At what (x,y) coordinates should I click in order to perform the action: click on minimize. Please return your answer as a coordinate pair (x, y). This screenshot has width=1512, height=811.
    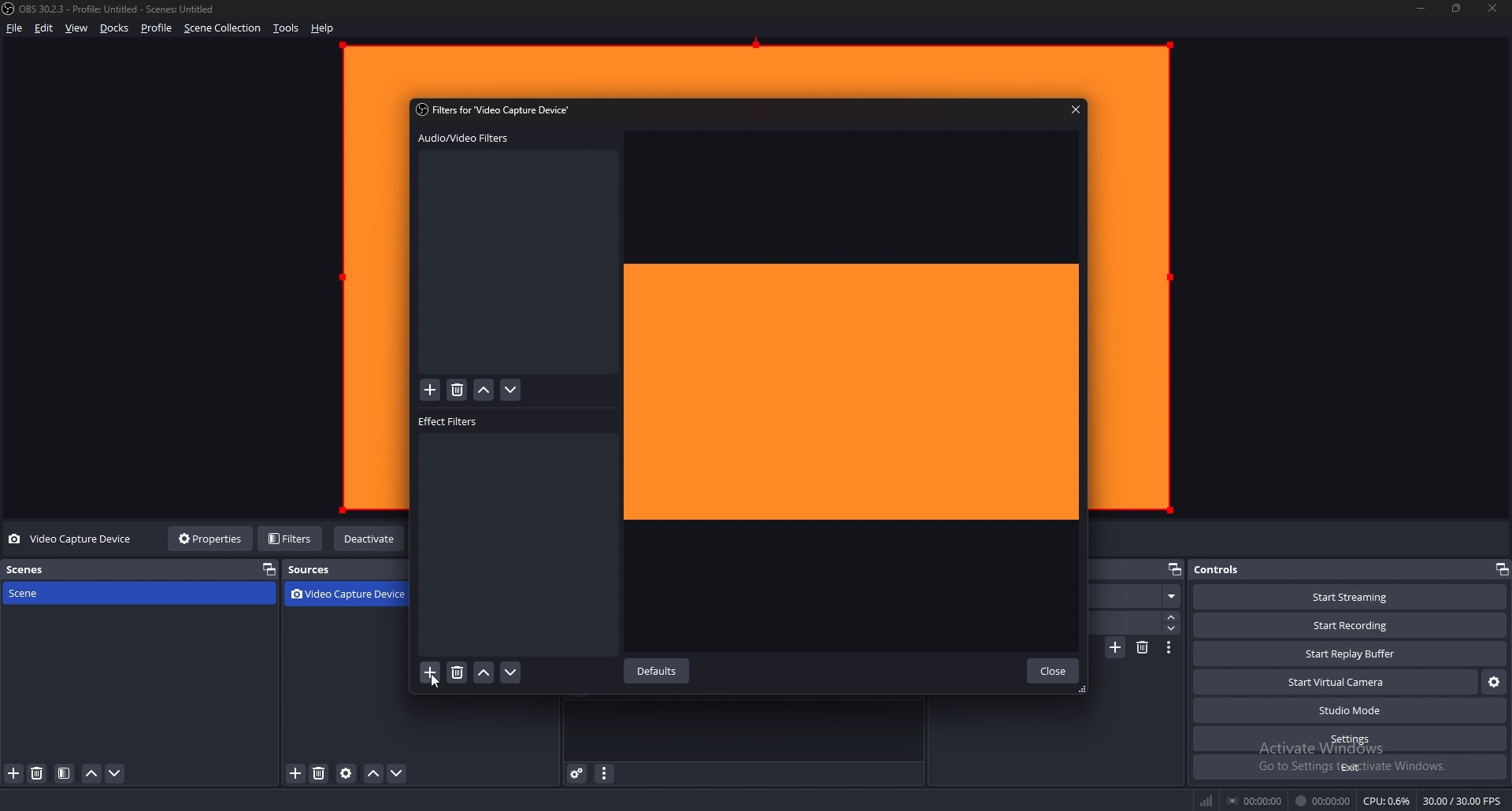
    Looking at the image, I should click on (1421, 9).